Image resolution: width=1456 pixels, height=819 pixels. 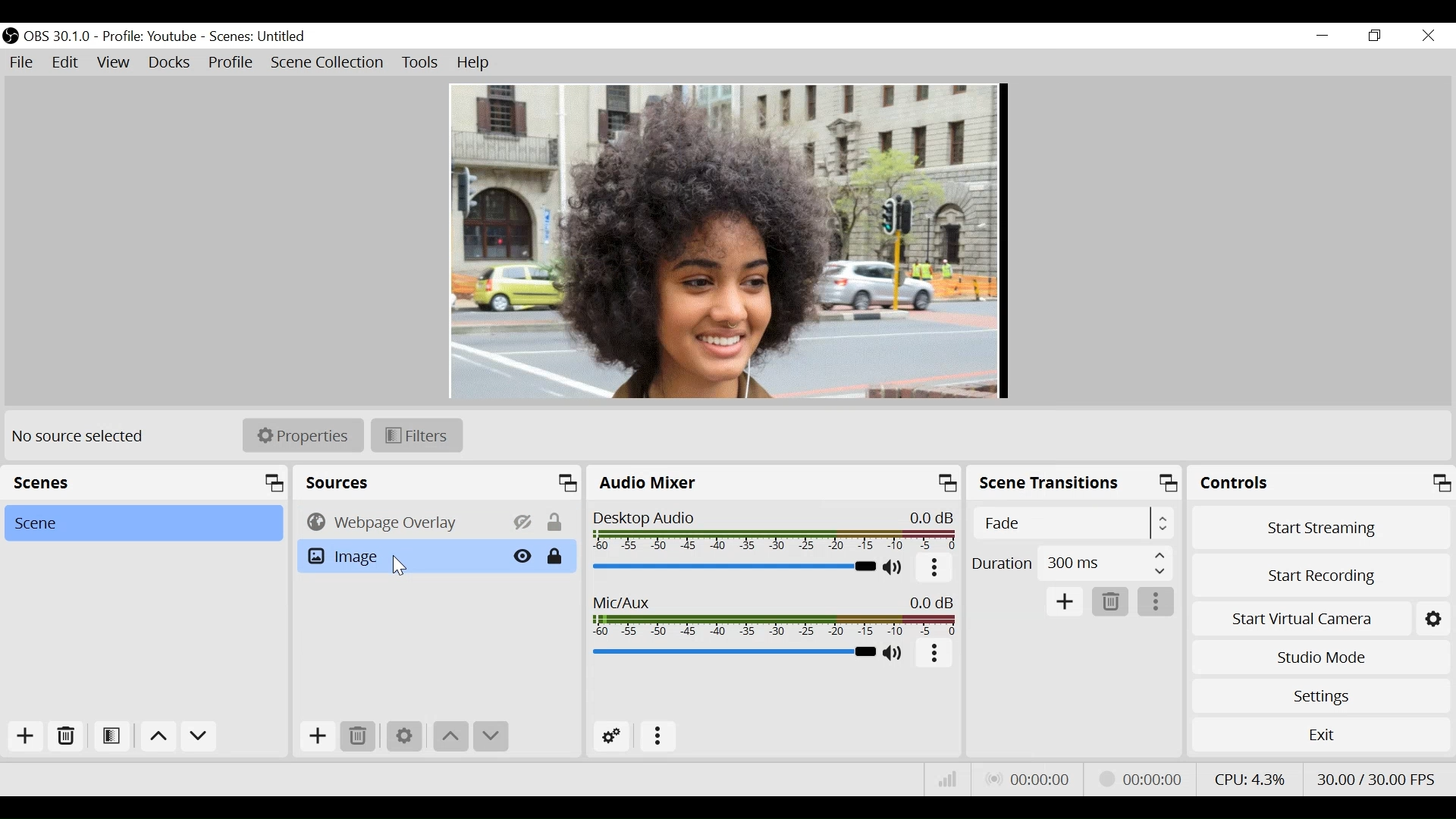 I want to click on Frame Per Second, so click(x=1375, y=779).